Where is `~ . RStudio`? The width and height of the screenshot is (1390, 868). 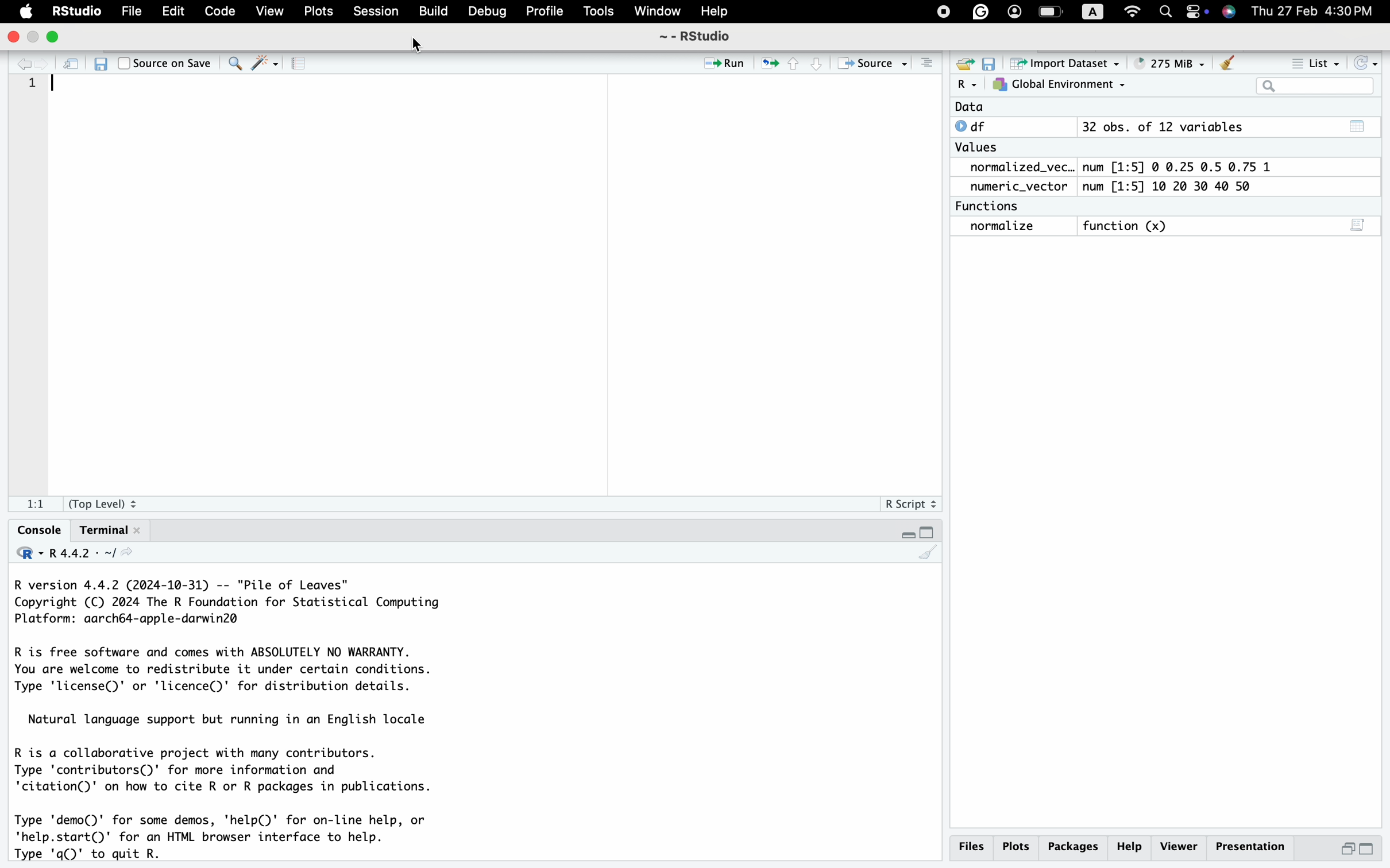 ~ . RStudio is located at coordinates (702, 37).